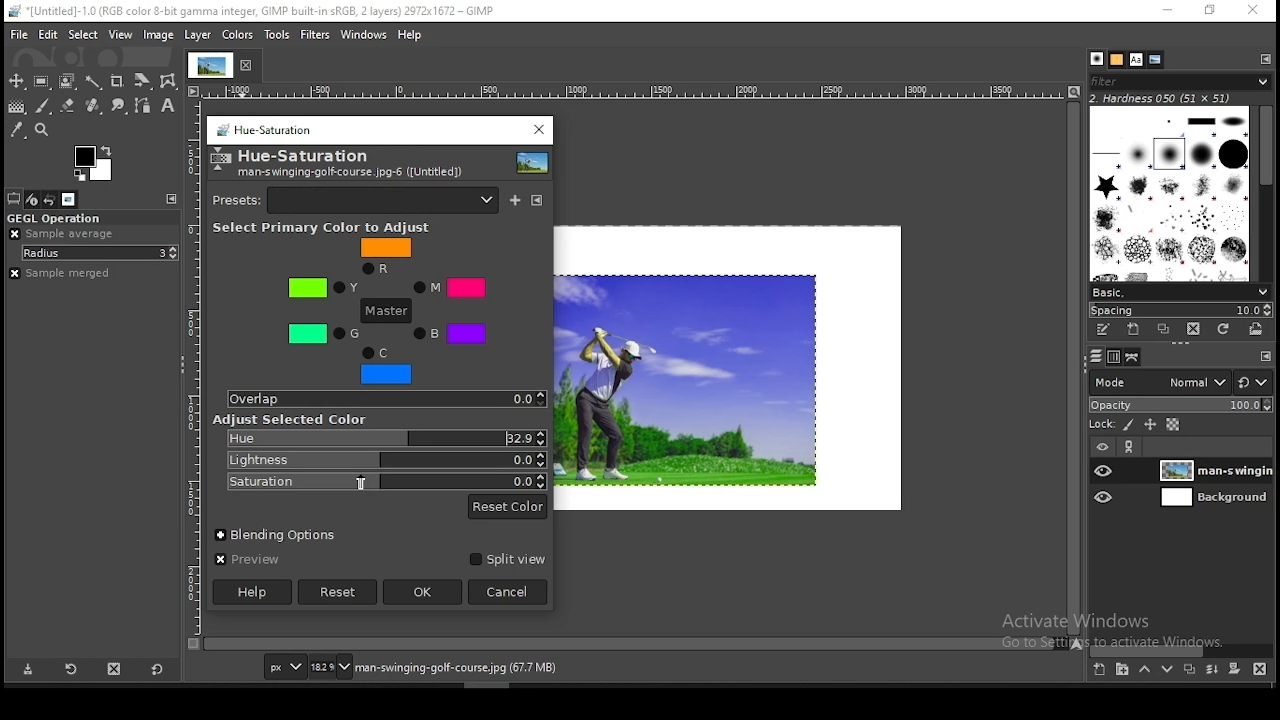 The width and height of the screenshot is (1280, 720). I want to click on hue, so click(384, 438).